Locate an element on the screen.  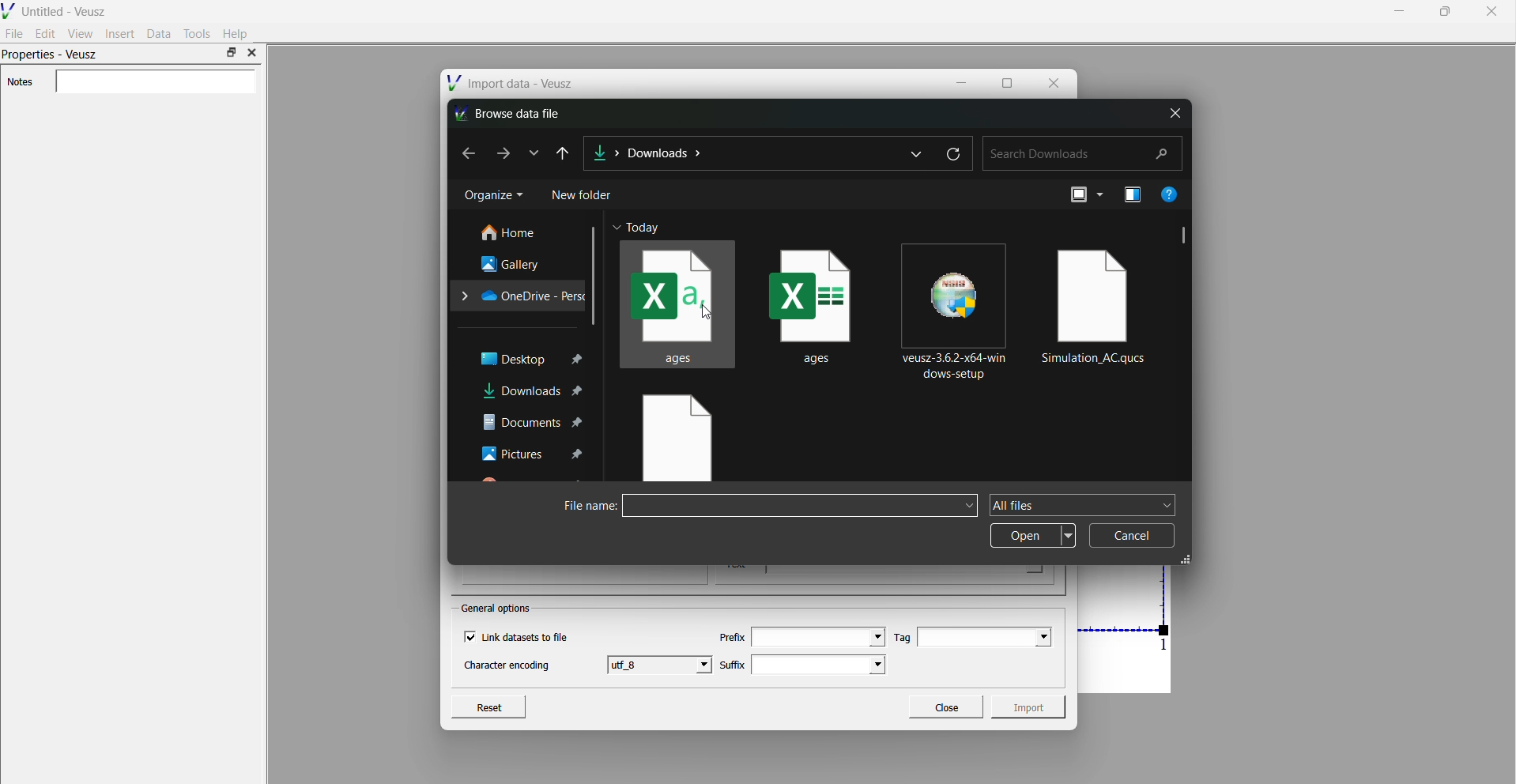
Downloads is located at coordinates (665, 153).